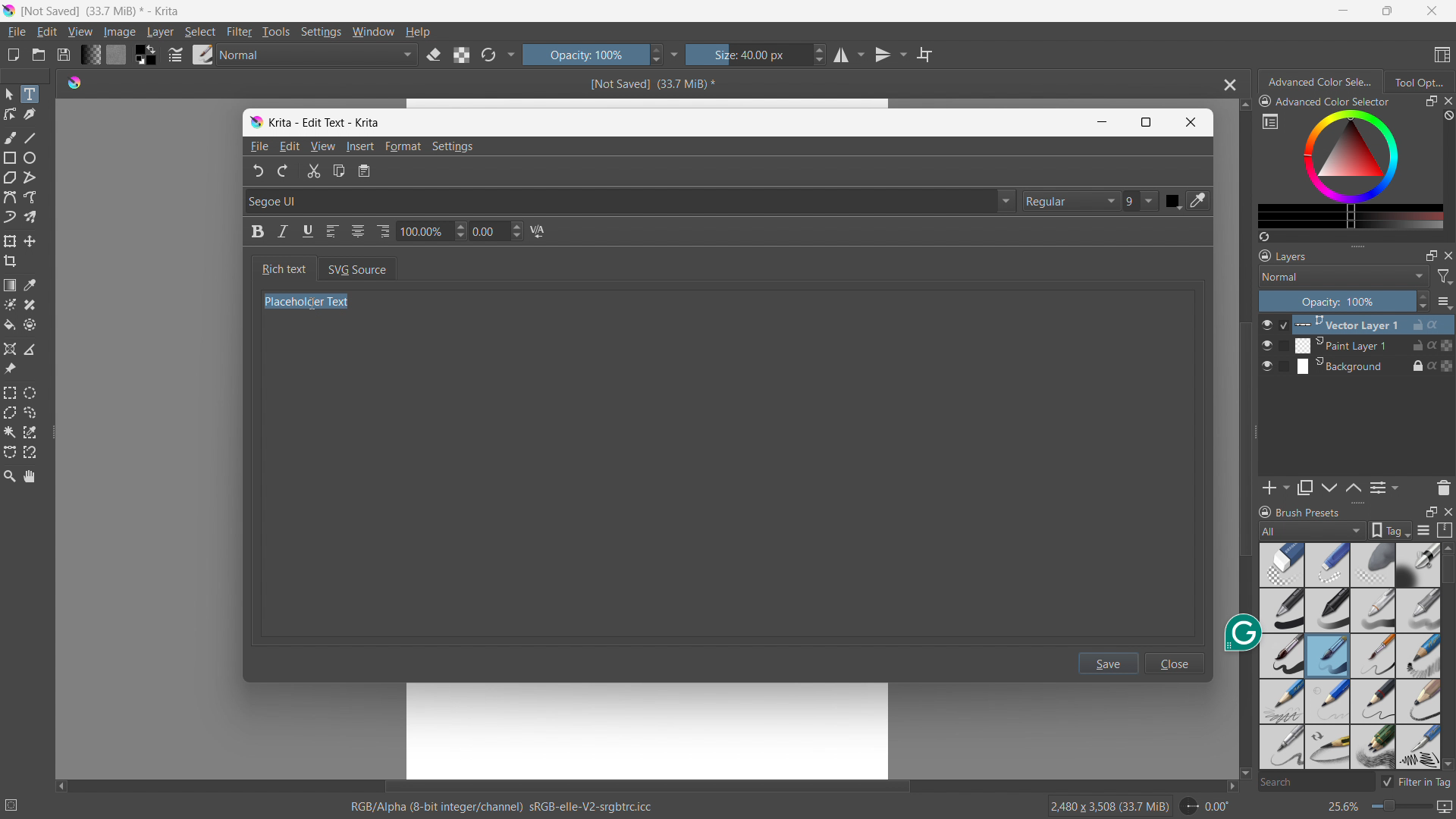  Describe the element at coordinates (30, 158) in the screenshot. I see `ellipse tool` at that location.